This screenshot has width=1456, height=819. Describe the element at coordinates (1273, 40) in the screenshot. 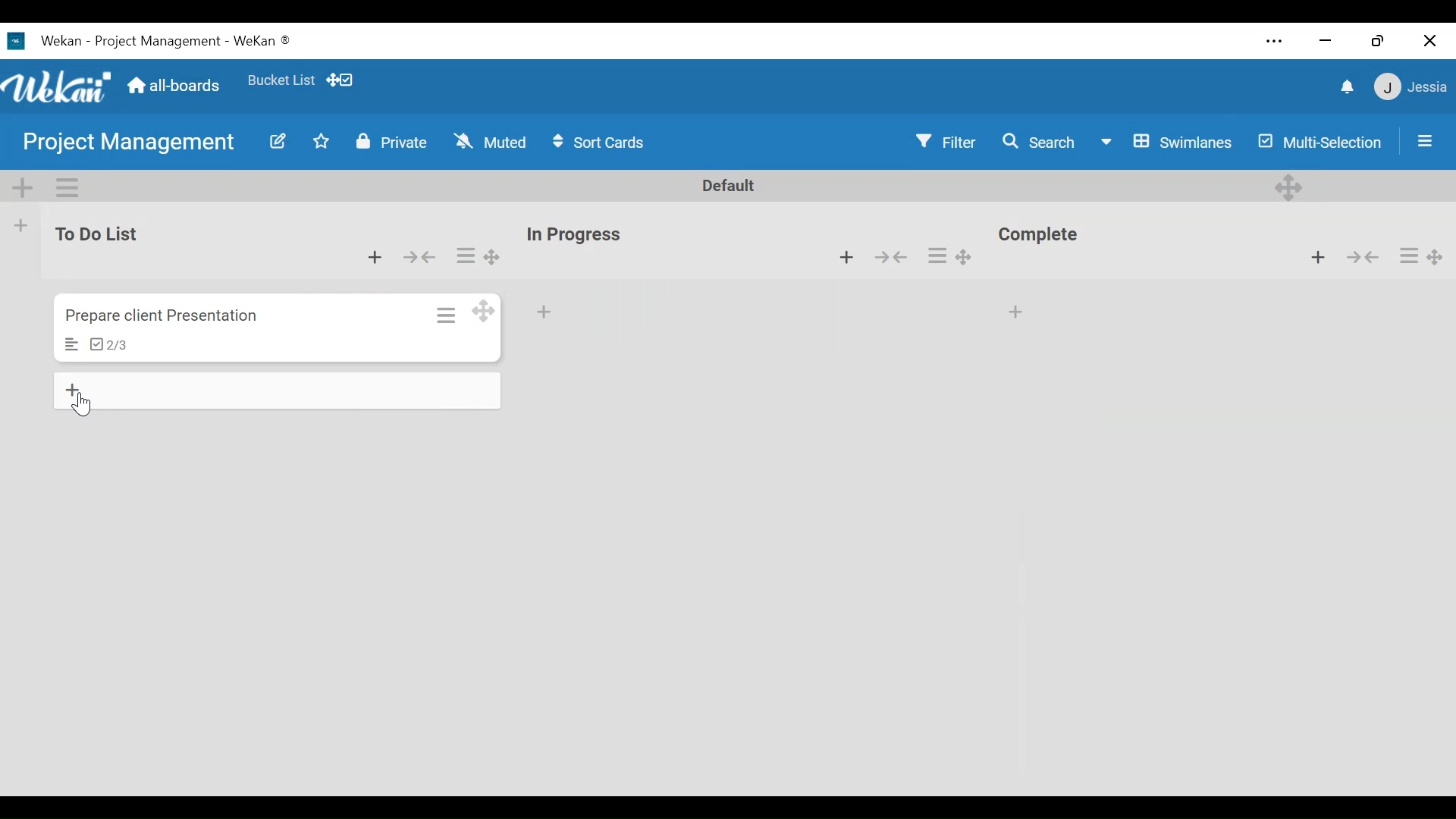

I see `more` at that location.